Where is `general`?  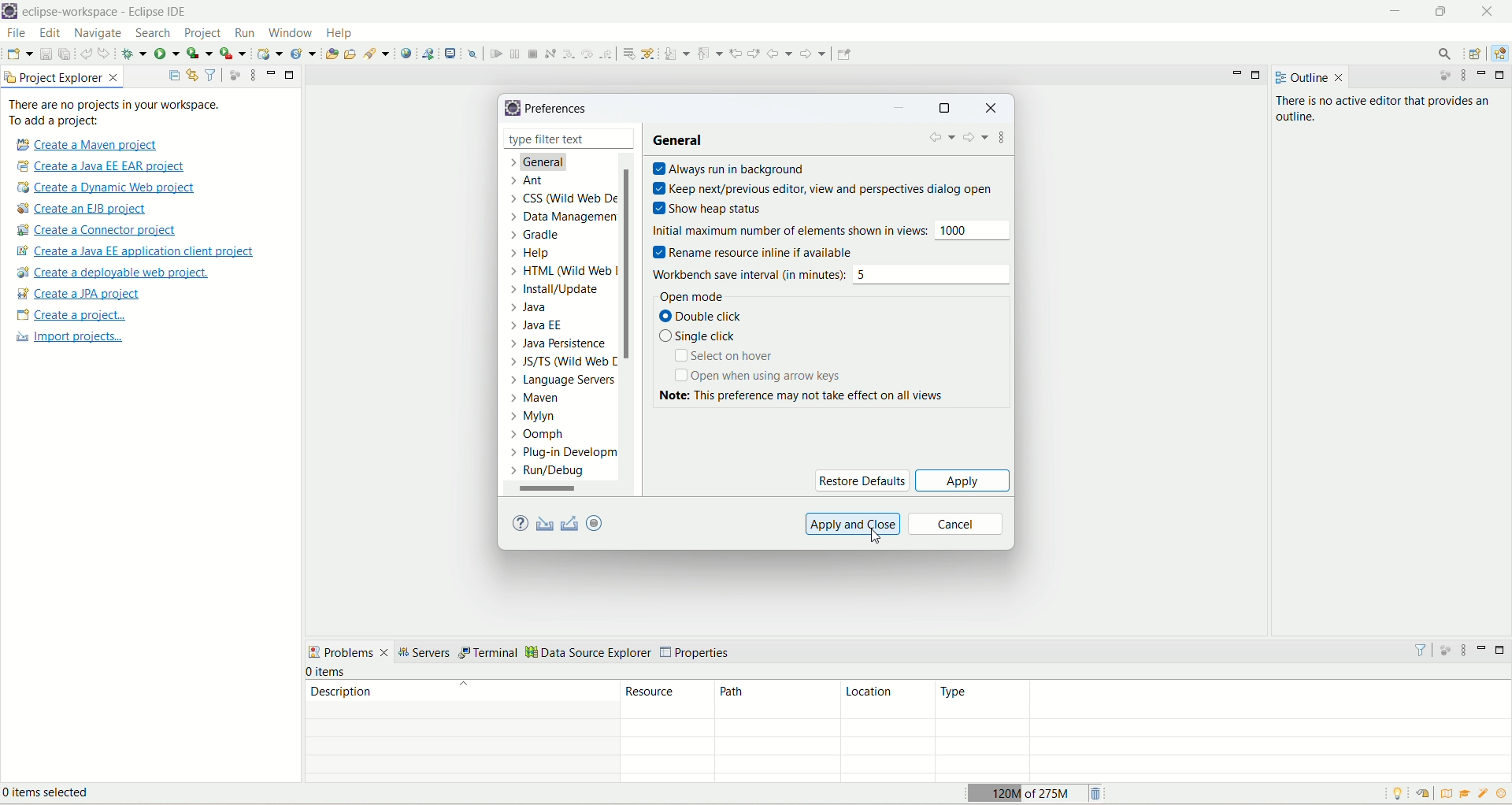 general is located at coordinates (547, 164).